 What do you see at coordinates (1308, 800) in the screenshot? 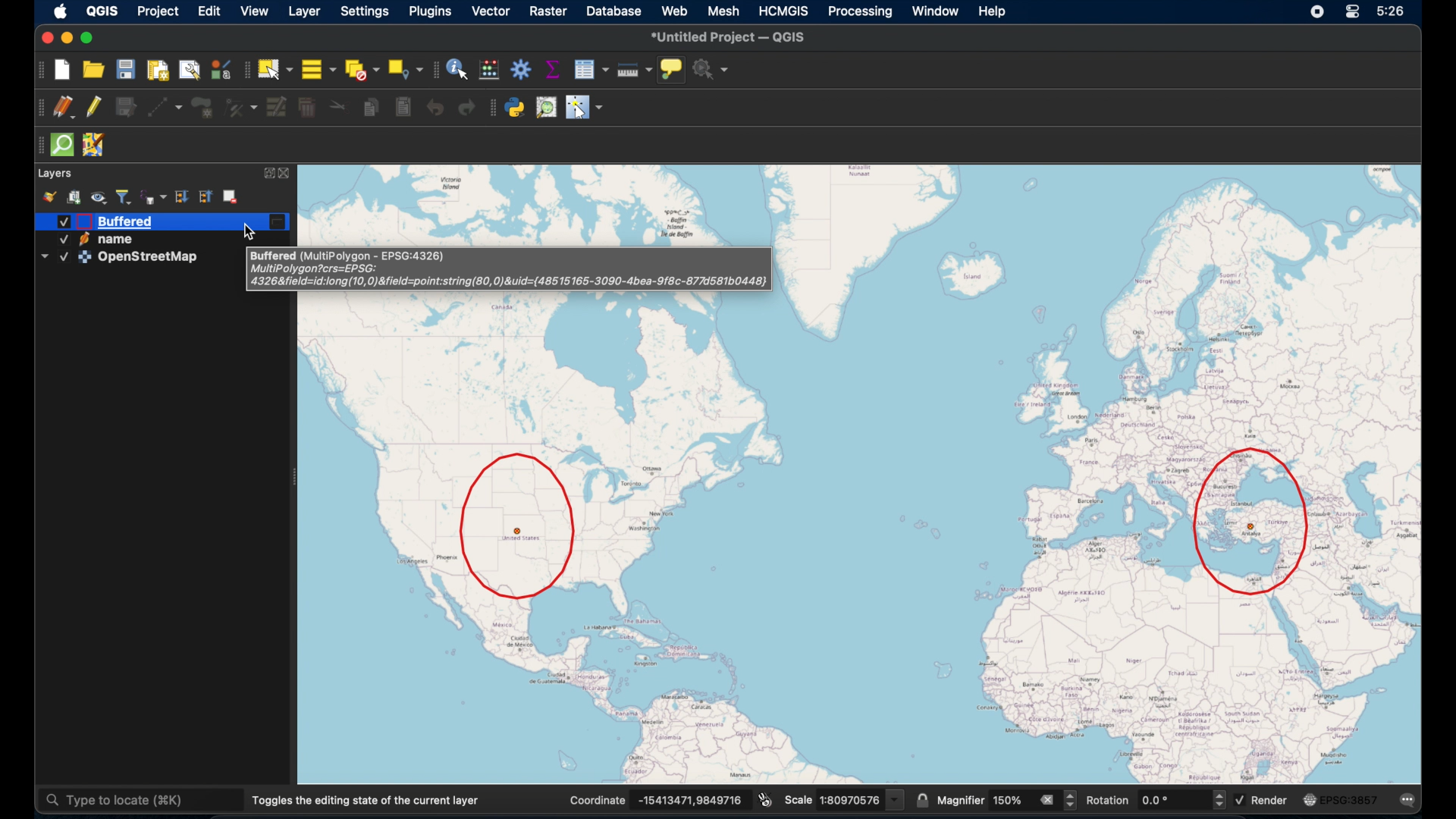
I see `icon` at bounding box center [1308, 800].